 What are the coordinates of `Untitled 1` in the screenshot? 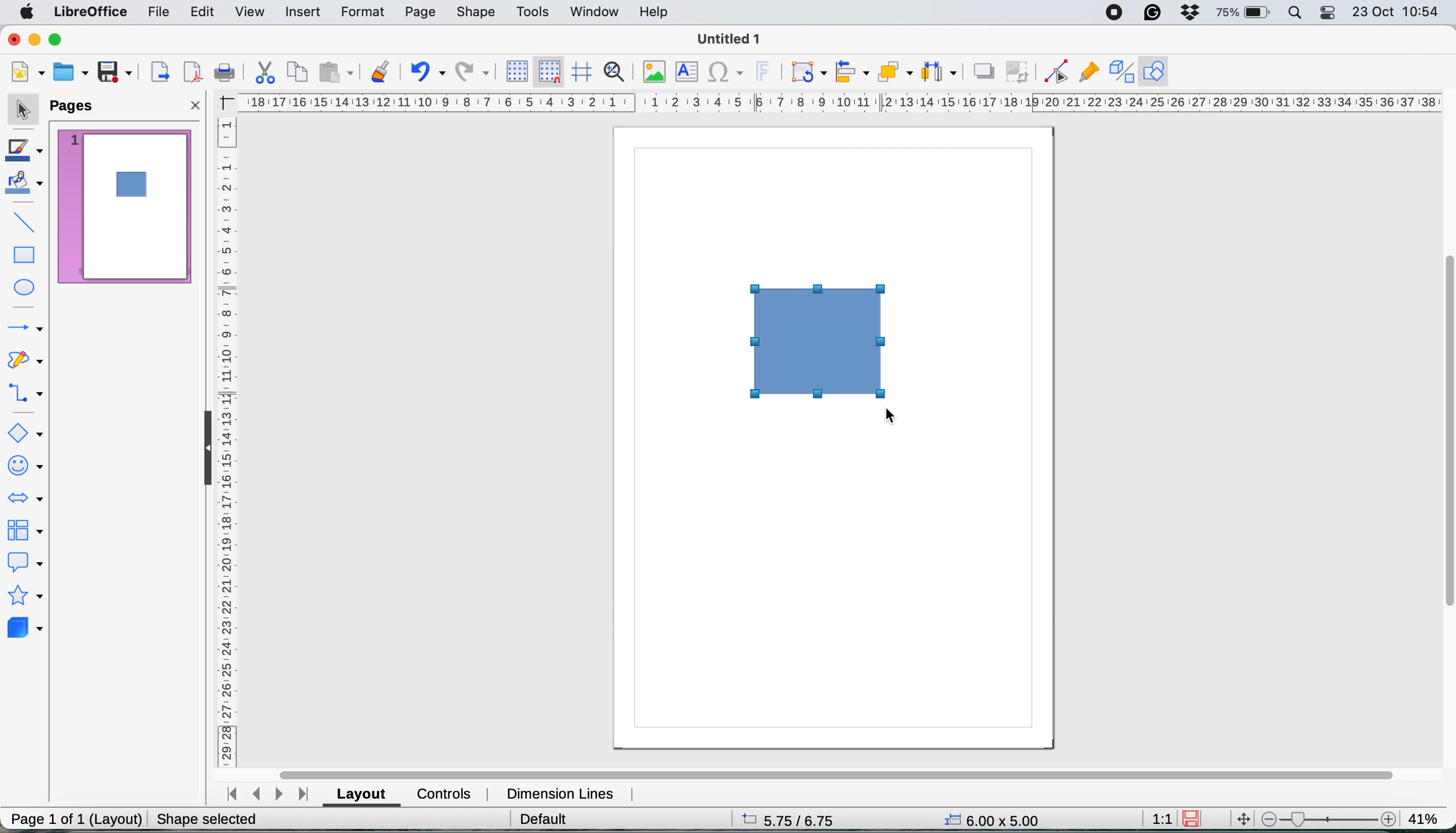 It's located at (726, 40).